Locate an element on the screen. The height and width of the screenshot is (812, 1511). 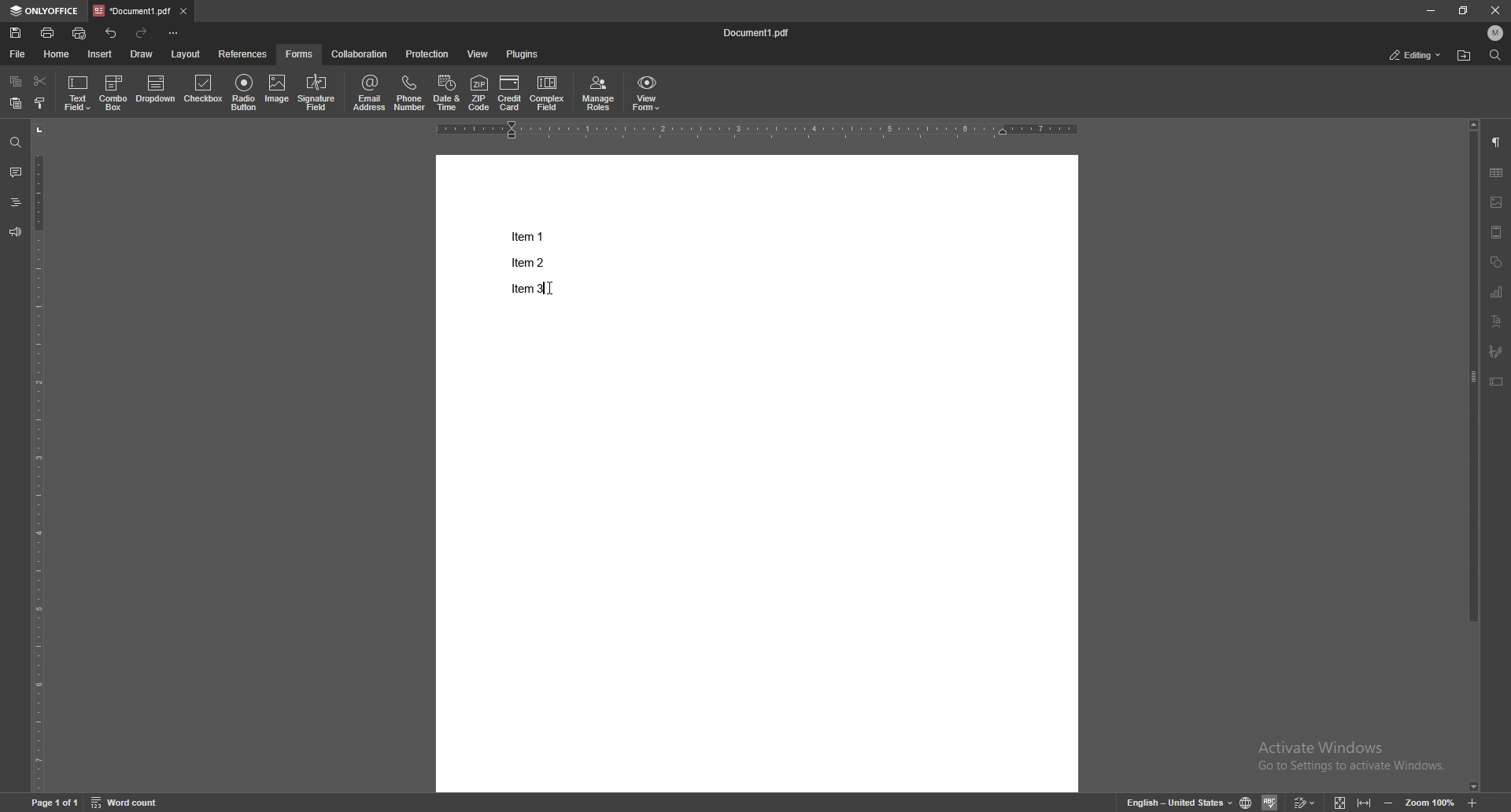
checkbox is located at coordinates (204, 90).